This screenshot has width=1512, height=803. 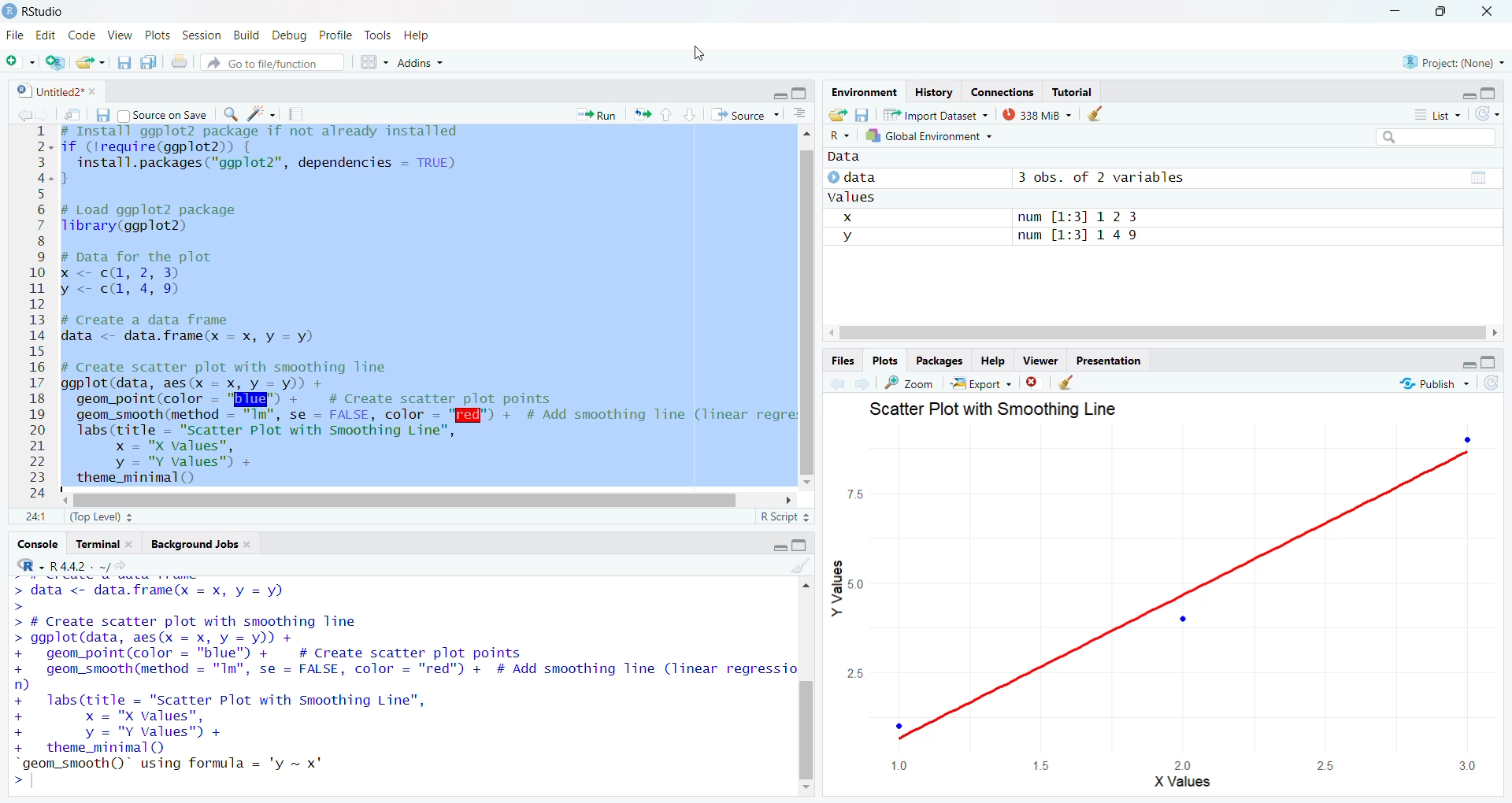 What do you see at coordinates (1462, 364) in the screenshot?
I see `hide r script` at bounding box center [1462, 364].